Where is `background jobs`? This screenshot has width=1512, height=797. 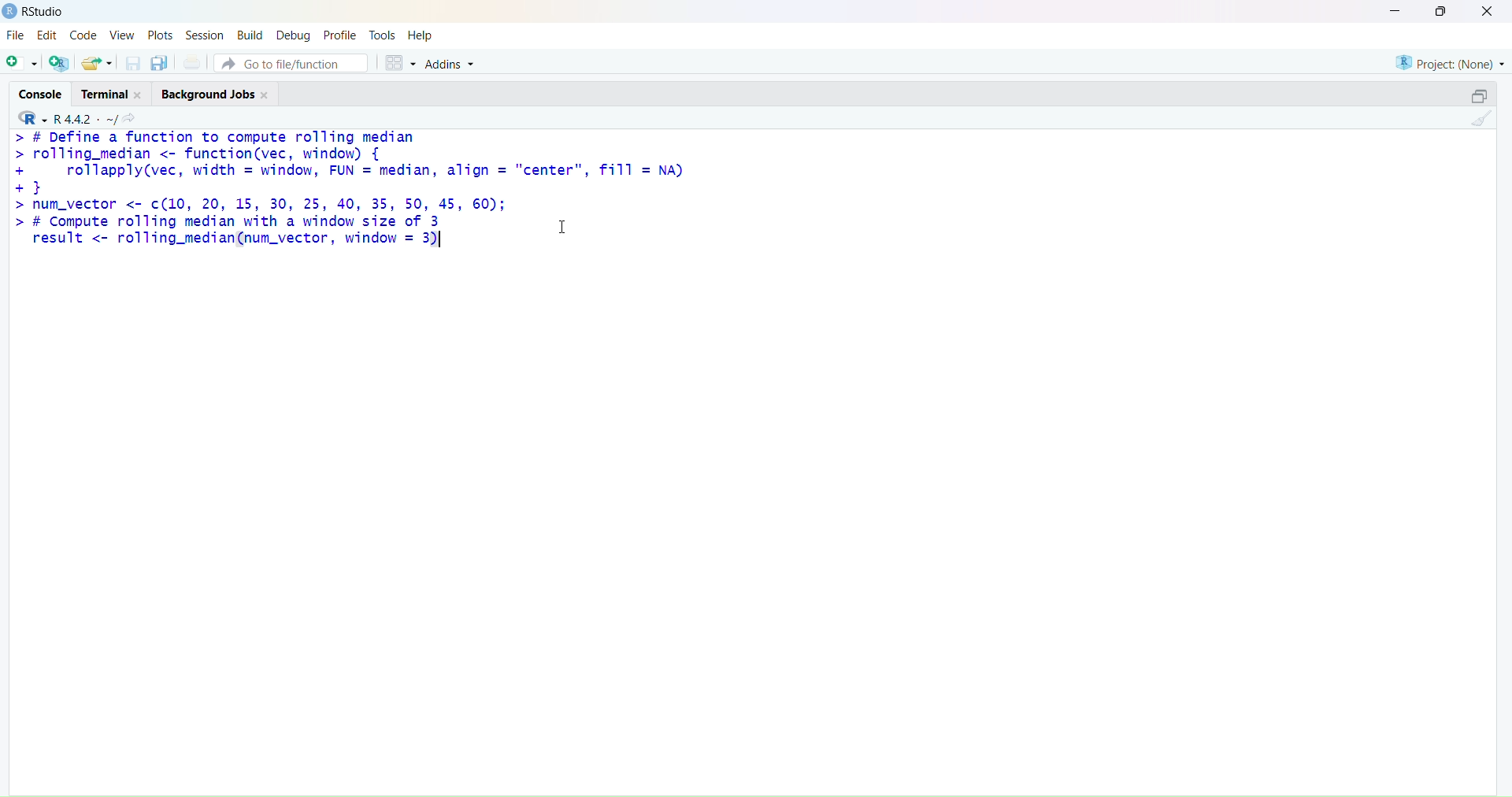
background jobs is located at coordinates (208, 96).